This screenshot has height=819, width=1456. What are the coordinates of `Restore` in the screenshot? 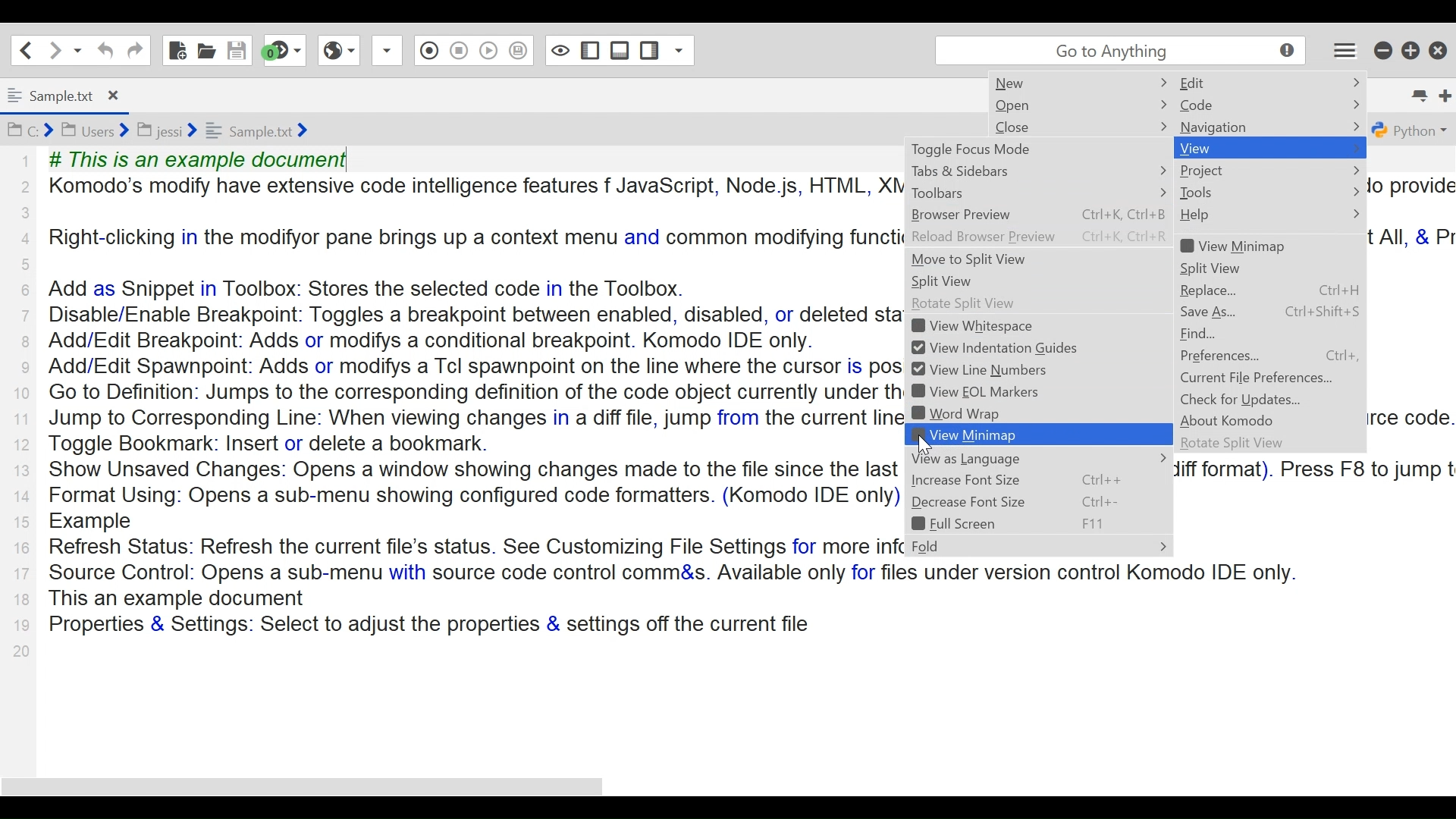 It's located at (1410, 50).